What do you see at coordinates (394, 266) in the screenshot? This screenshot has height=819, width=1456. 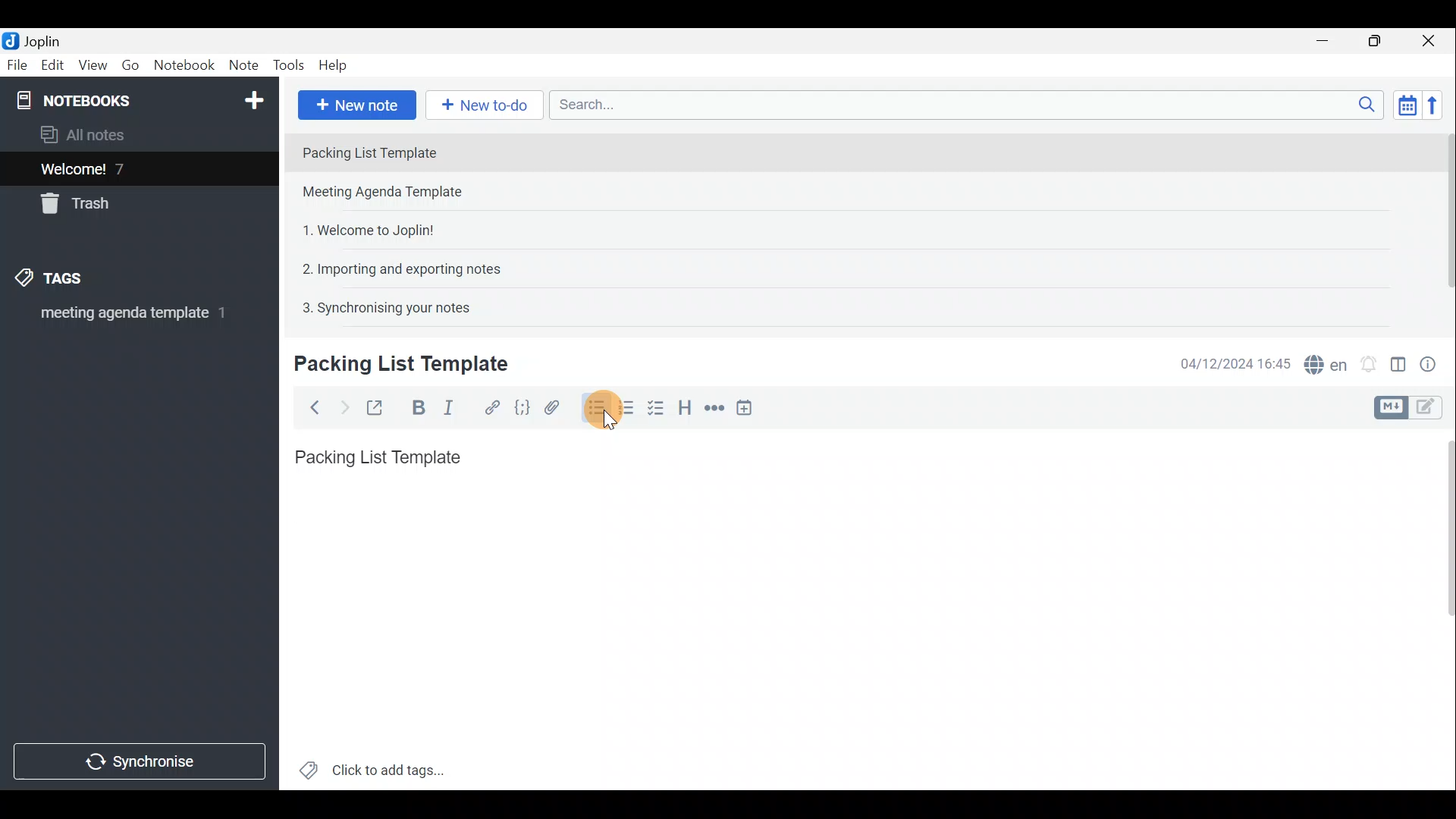 I see `Note 4` at bounding box center [394, 266].